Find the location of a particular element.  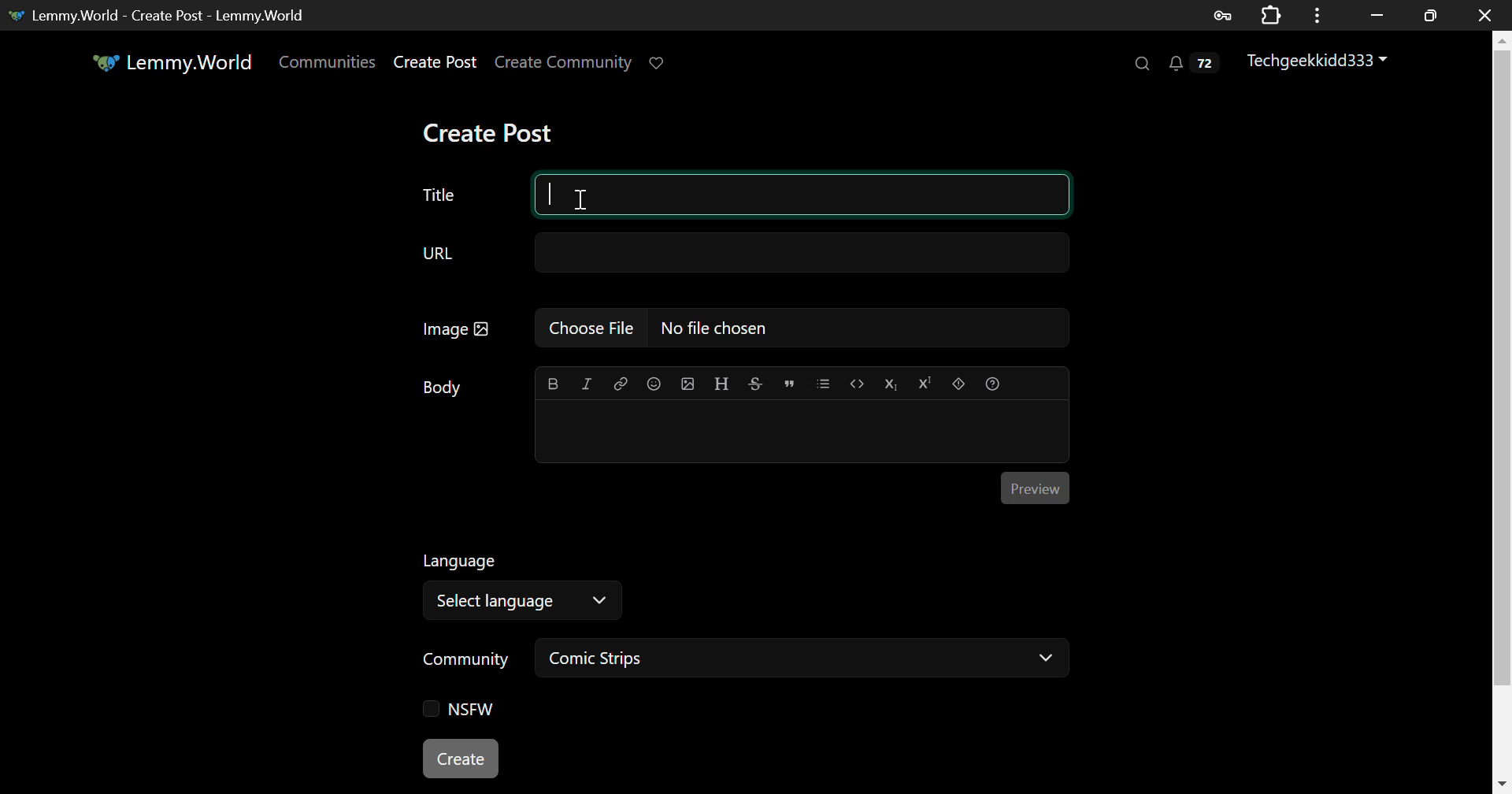

Restore Down is located at coordinates (1378, 13).